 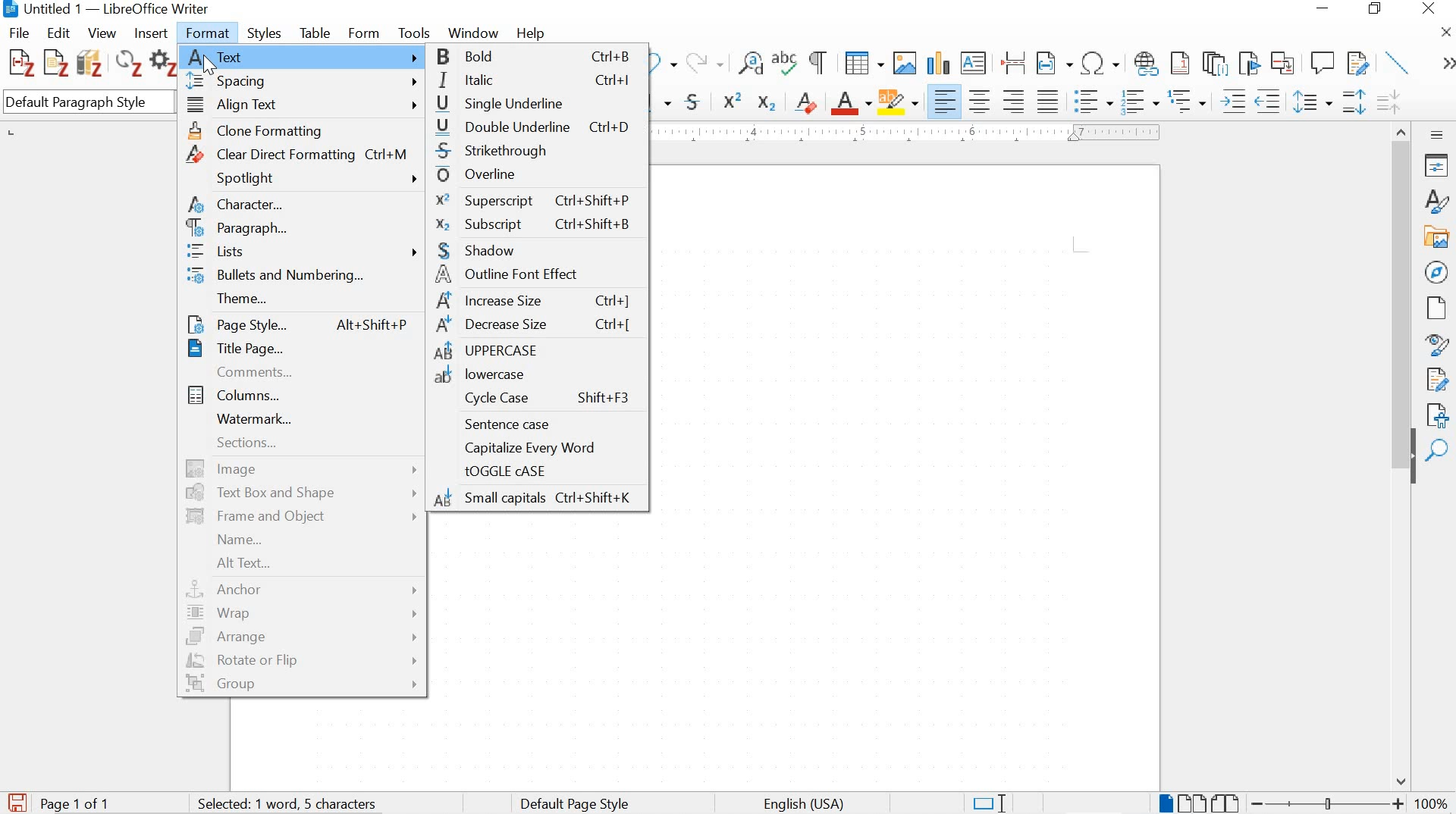 What do you see at coordinates (210, 31) in the screenshot?
I see `format` at bounding box center [210, 31].